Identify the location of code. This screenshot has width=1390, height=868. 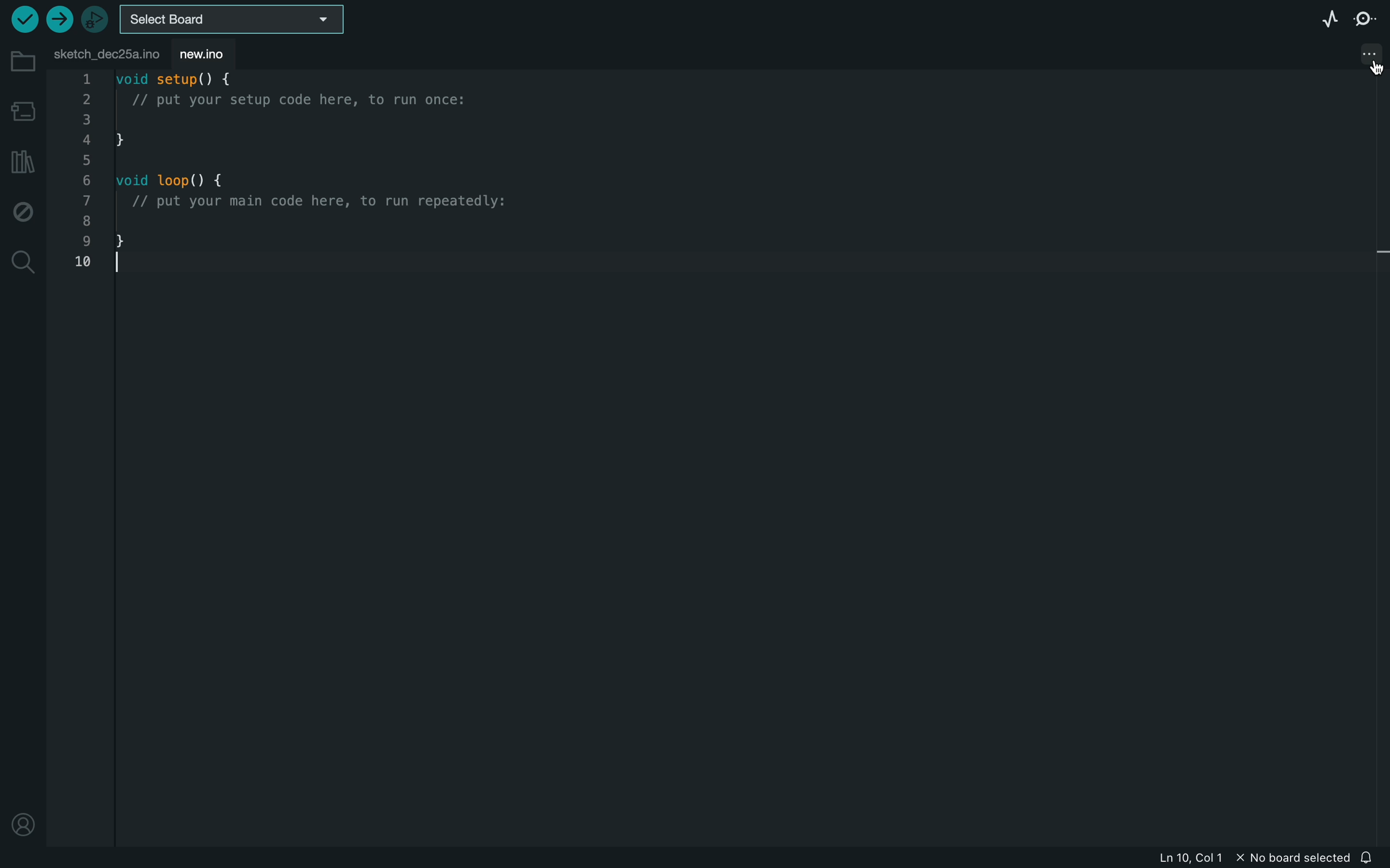
(314, 177).